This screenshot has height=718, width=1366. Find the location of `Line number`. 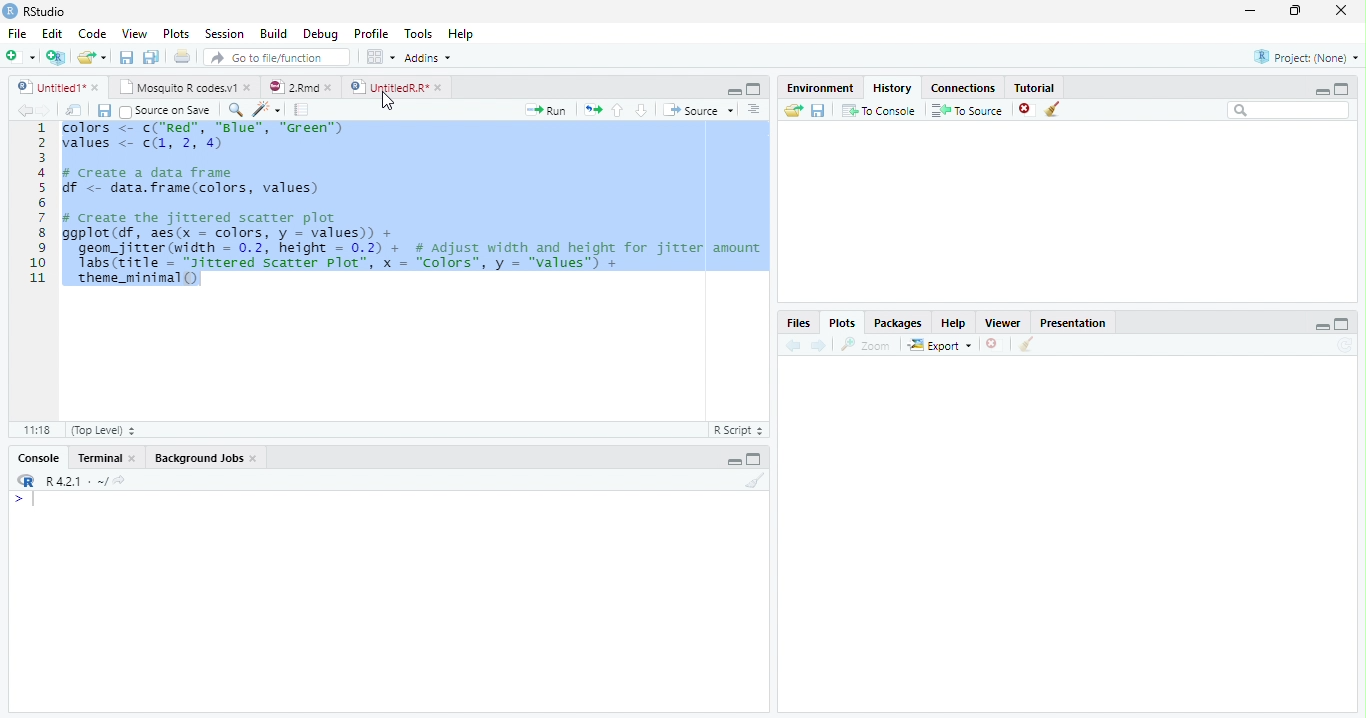

Line number is located at coordinates (38, 204).